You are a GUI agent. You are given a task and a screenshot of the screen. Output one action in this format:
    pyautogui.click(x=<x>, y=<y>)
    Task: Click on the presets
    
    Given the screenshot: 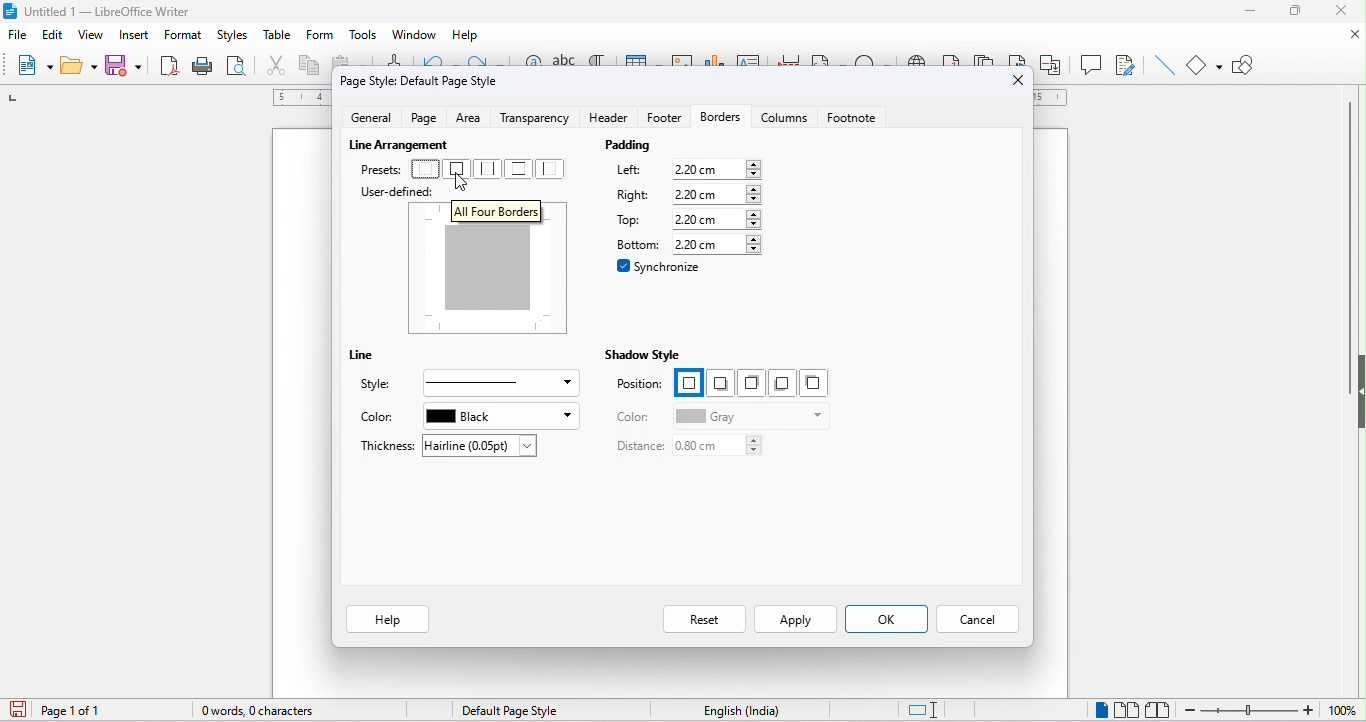 What is the action you would take?
    pyautogui.click(x=379, y=169)
    